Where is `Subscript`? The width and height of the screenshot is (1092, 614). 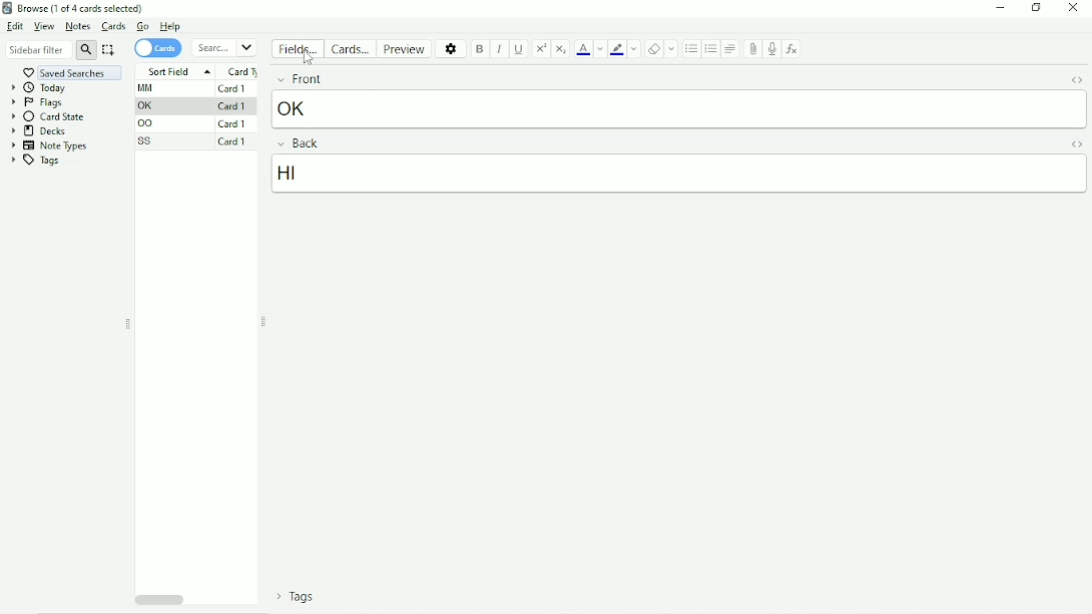 Subscript is located at coordinates (561, 48).